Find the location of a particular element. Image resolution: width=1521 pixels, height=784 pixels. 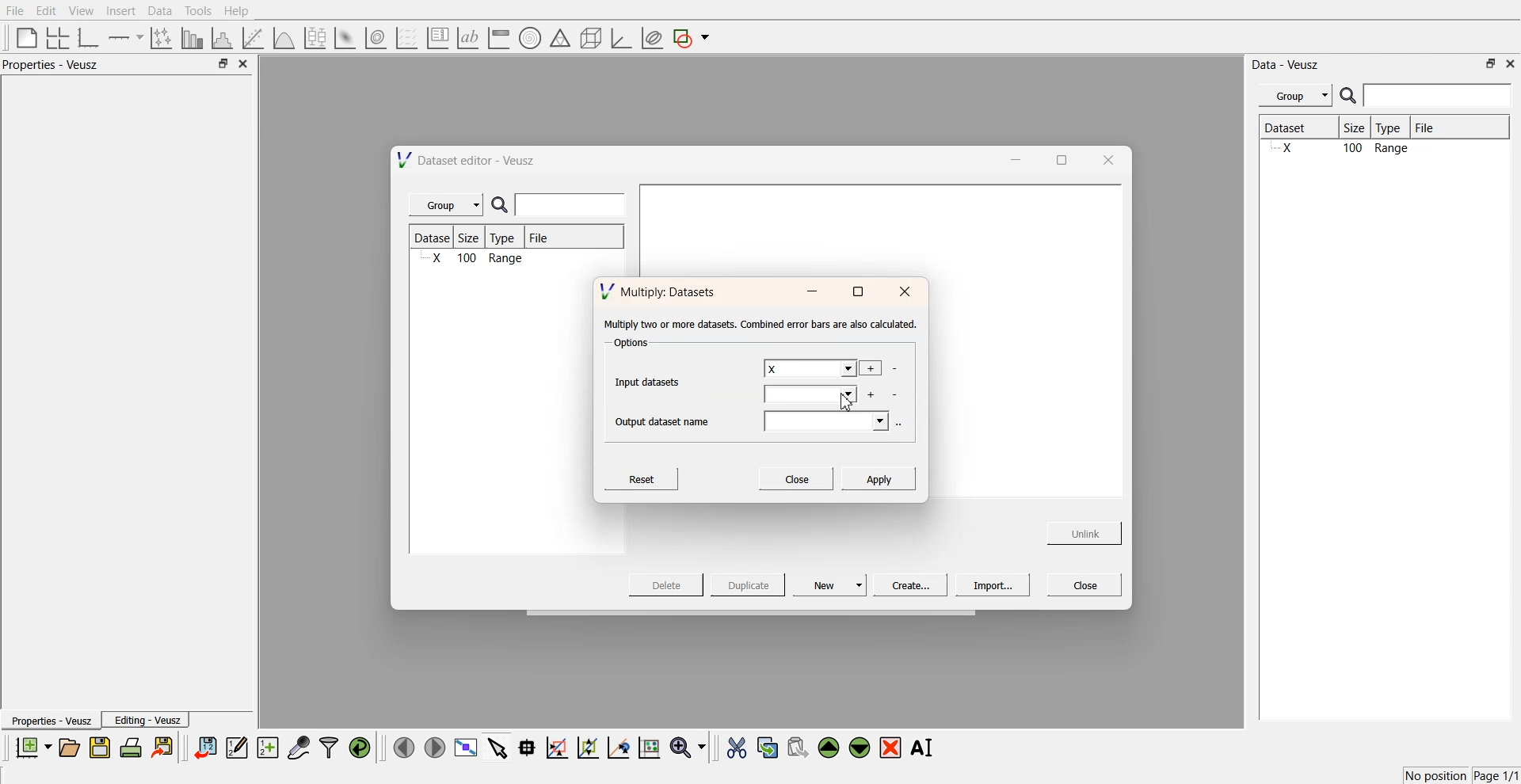

Multiply: Datasets is located at coordinates (660, 290).